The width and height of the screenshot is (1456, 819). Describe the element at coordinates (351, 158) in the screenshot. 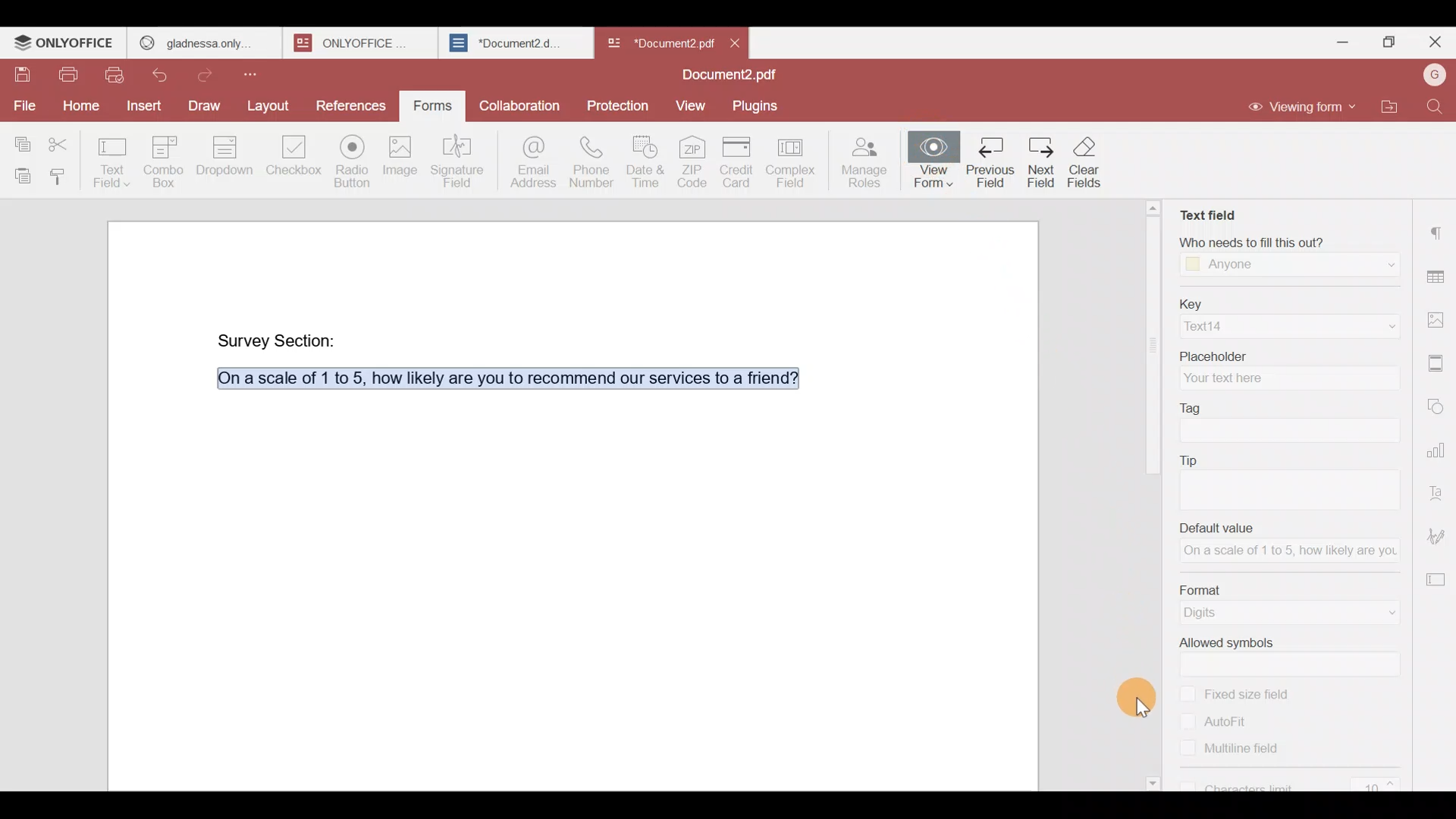

I see `Radio` at that location.